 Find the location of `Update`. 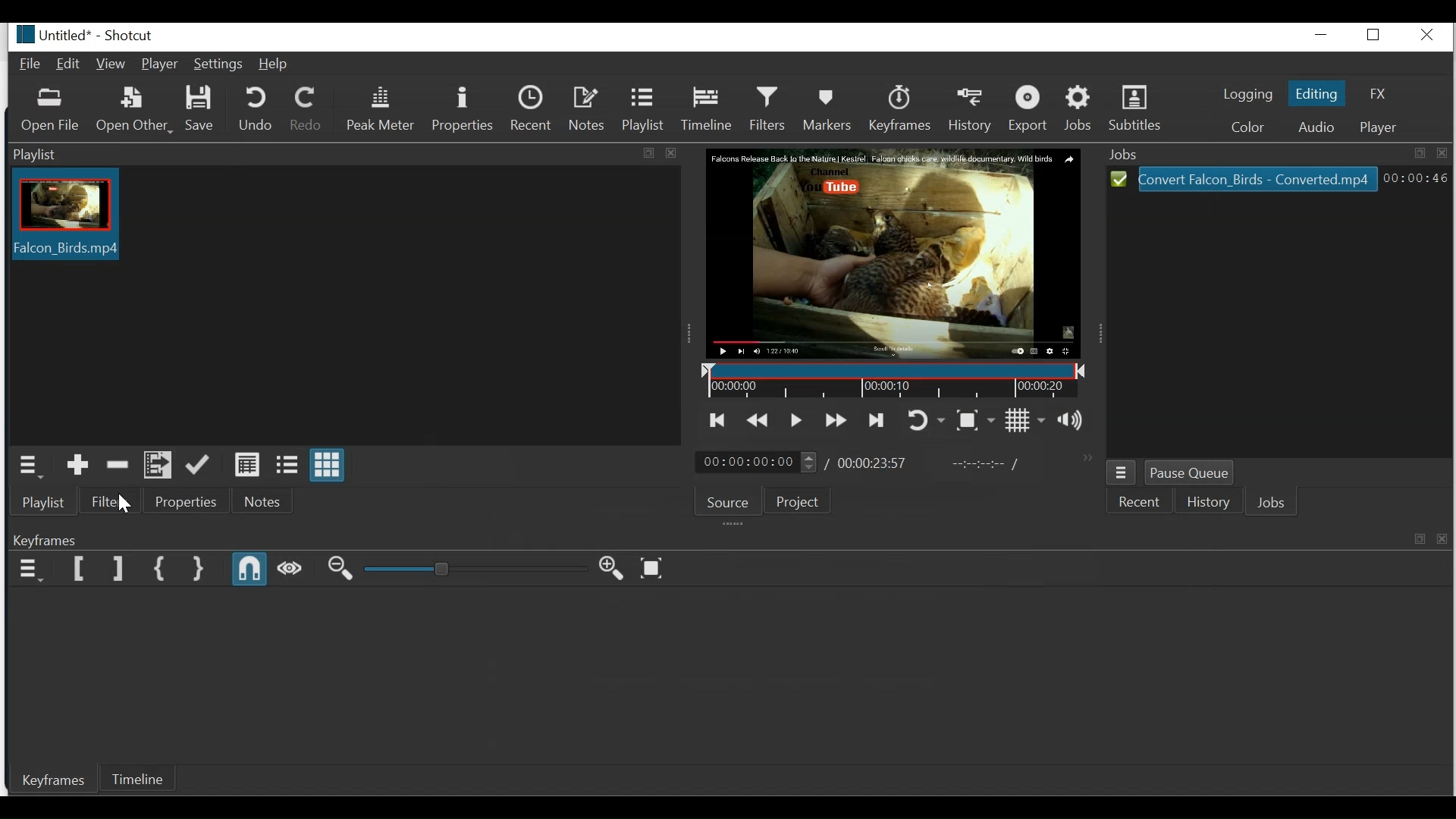

Update is located at coordinates (198, 466).